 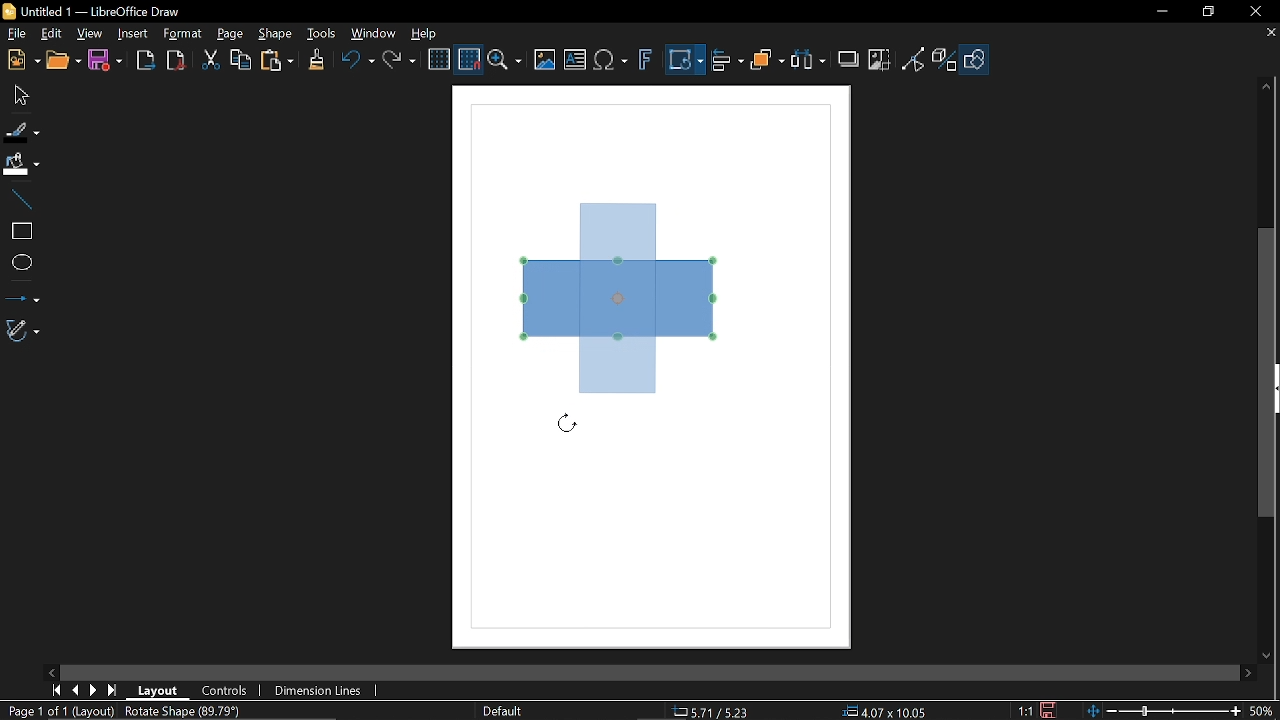 What do you see at coordinates (21, 296) in the screenshot?
I see `Lines and arrows` at bounding box center [21, 296].